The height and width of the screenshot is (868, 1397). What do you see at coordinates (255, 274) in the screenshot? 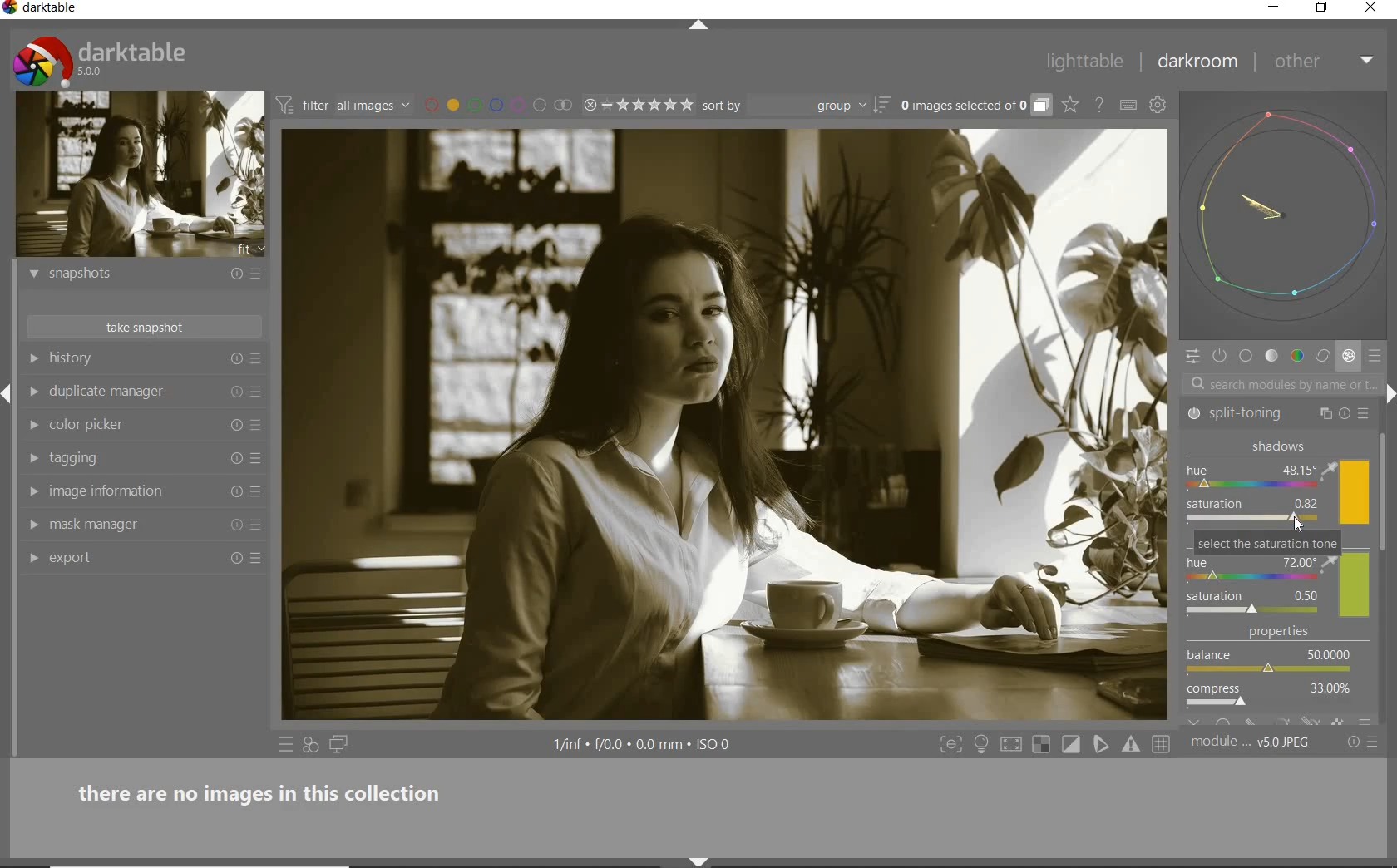
I see `presets and preferences` at bounding box center [255, 274].